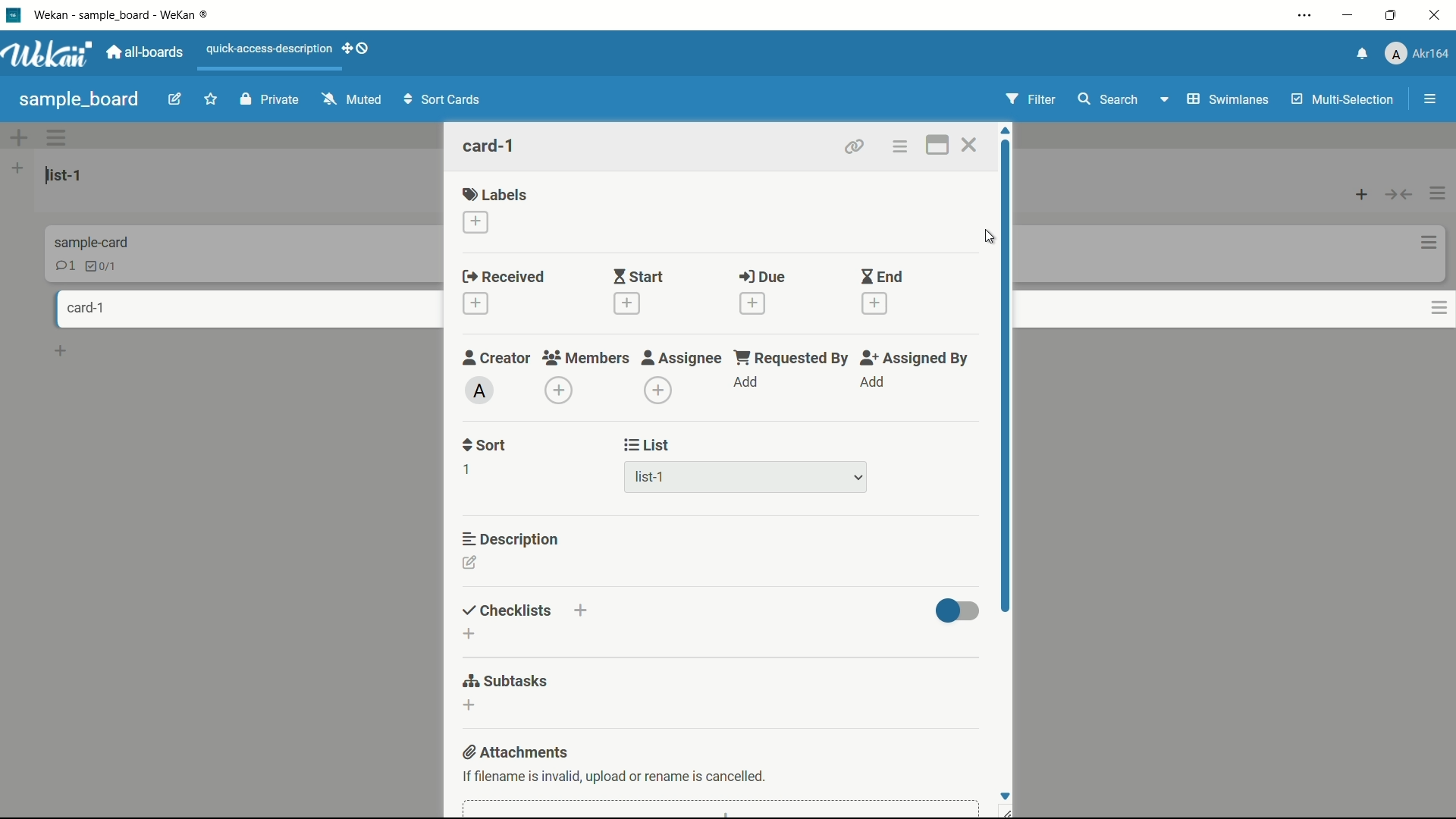 Image resolution: width=1456 pixels, height=819 pixels. What do you see at coordinates (1398, 190) in the screenshot?
I see `collapse` at bounding box center [1398, 190].